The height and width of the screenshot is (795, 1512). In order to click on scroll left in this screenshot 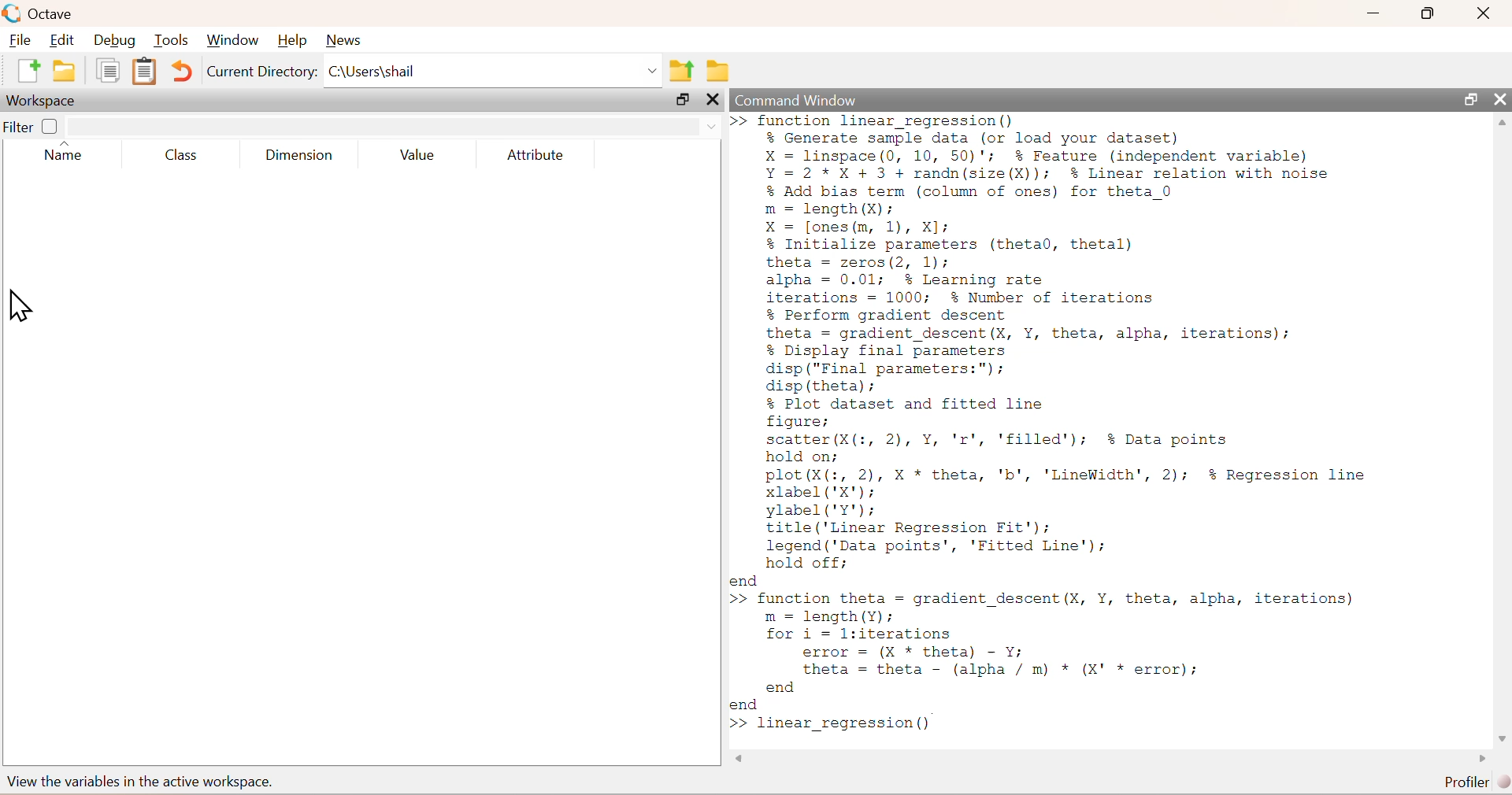, I will do `click(1479, 759)`.